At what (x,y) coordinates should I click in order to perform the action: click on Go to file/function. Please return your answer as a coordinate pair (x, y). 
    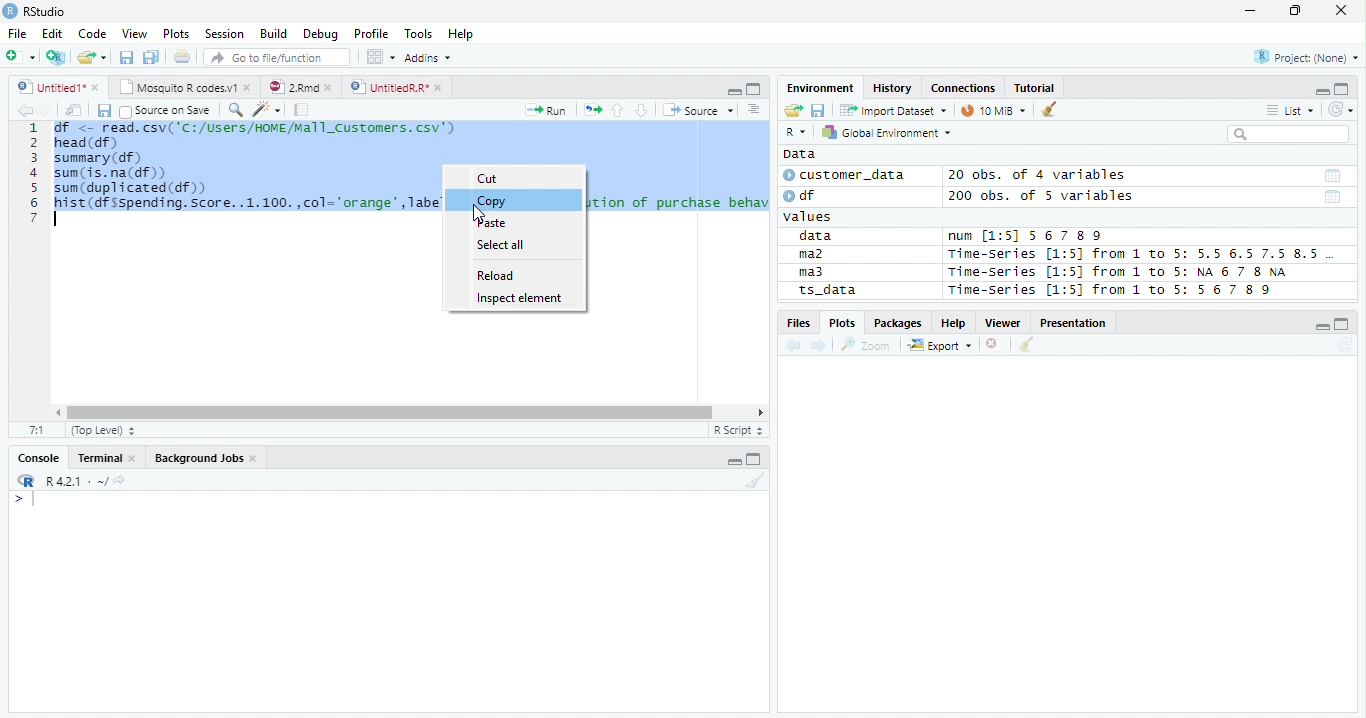
    Looking at the image, I should click on (274, 58).